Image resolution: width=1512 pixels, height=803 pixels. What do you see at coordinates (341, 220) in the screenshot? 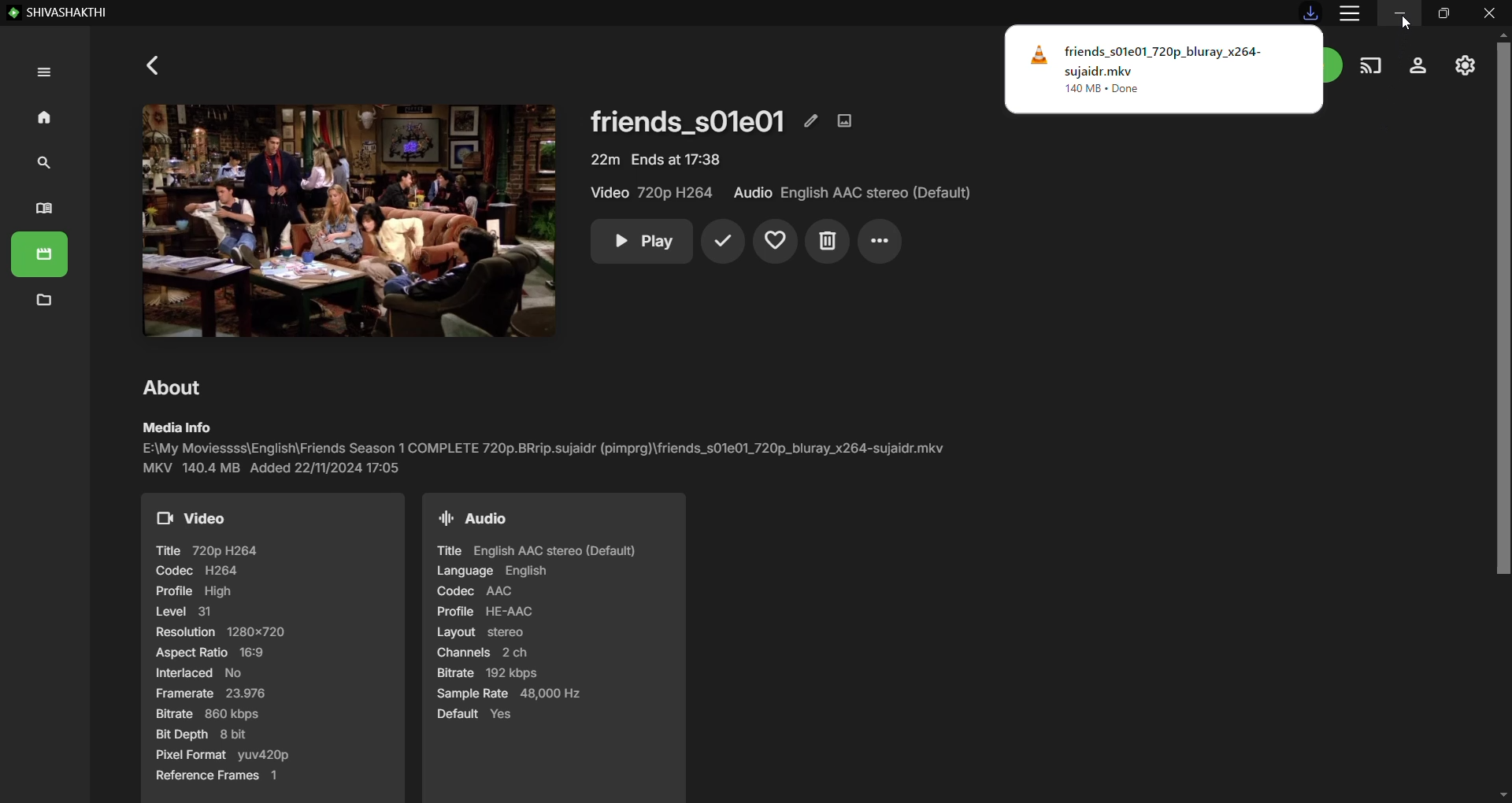
I see `Selected TV episode image - Click to Play video` at bounding box center [341, 220].